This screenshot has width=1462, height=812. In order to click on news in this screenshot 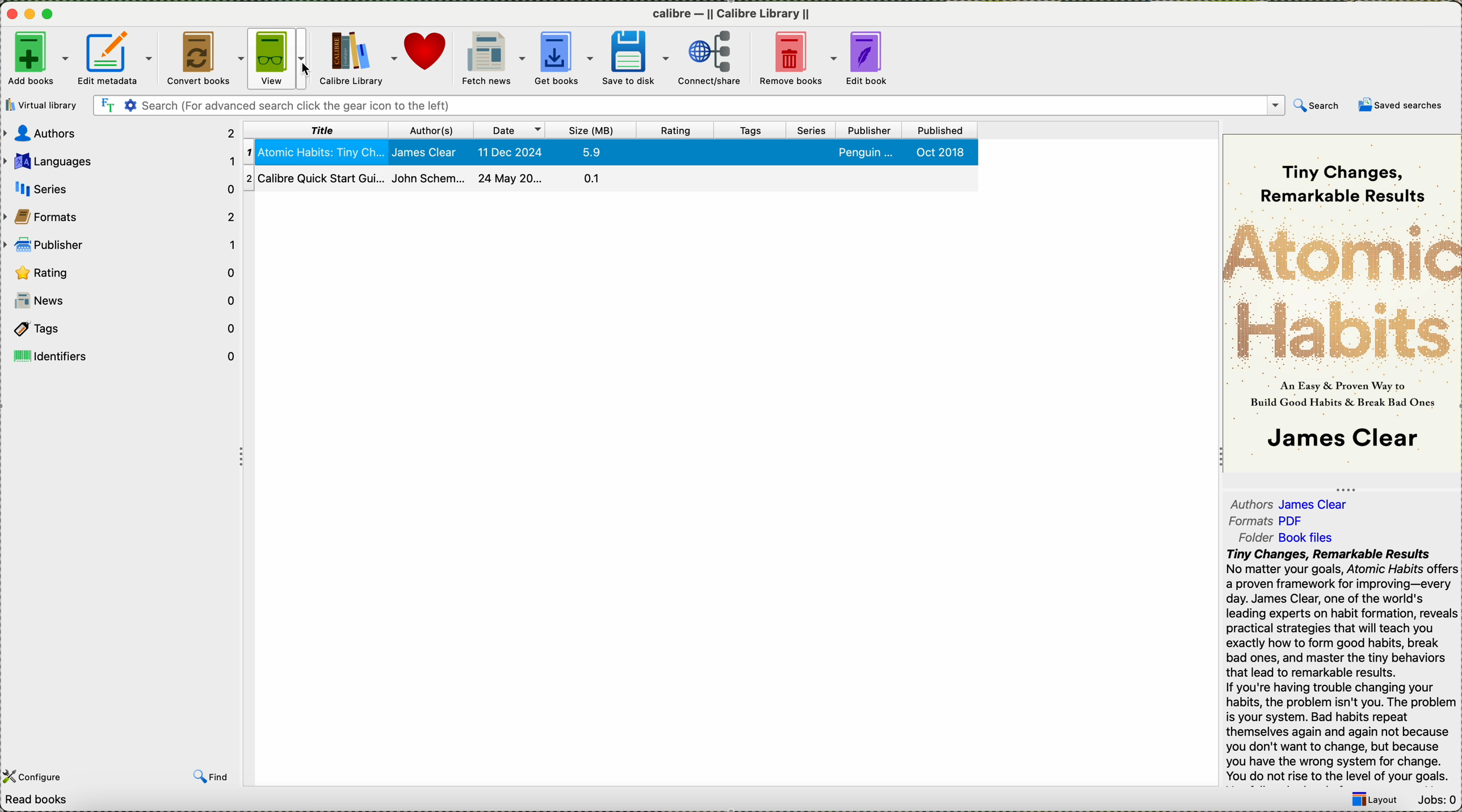, I will do `click(125, 301)`.